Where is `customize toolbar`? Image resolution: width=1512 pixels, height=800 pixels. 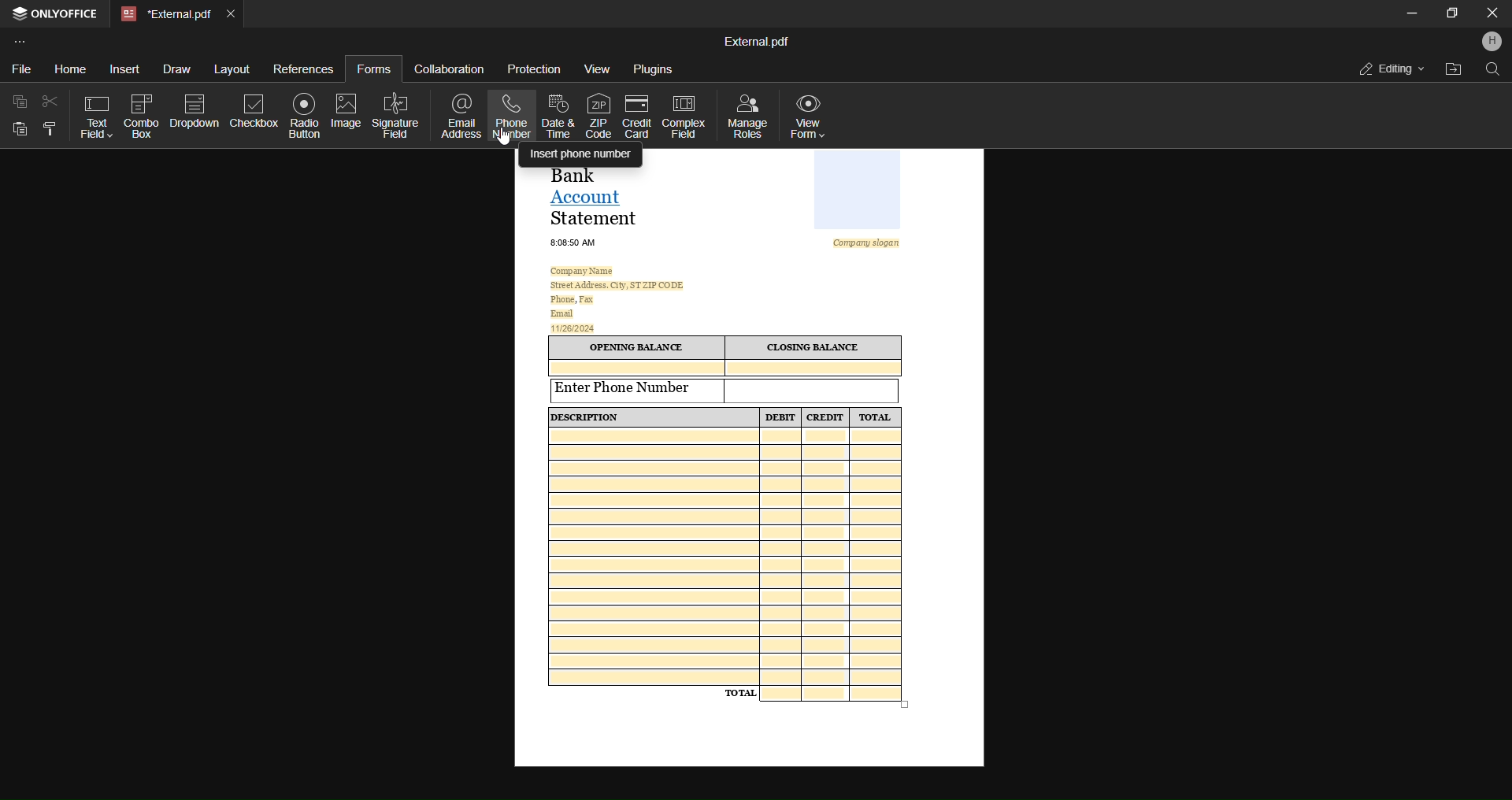 customize toolbar is located at coordinates (24, 39).